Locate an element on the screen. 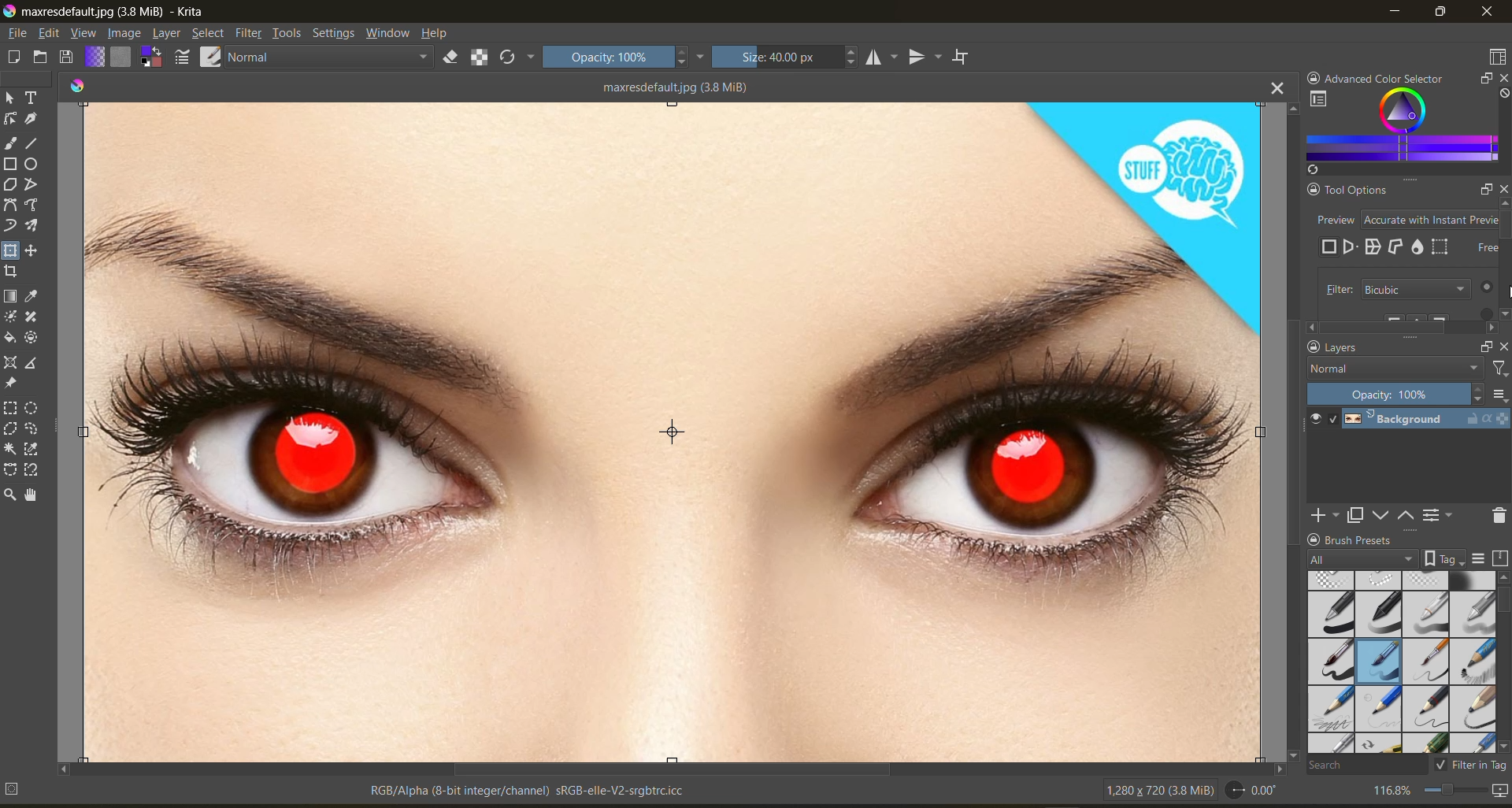 The width and height of the screenshot is (1512, 808). lock docker is located at coordinates (1311, 75).